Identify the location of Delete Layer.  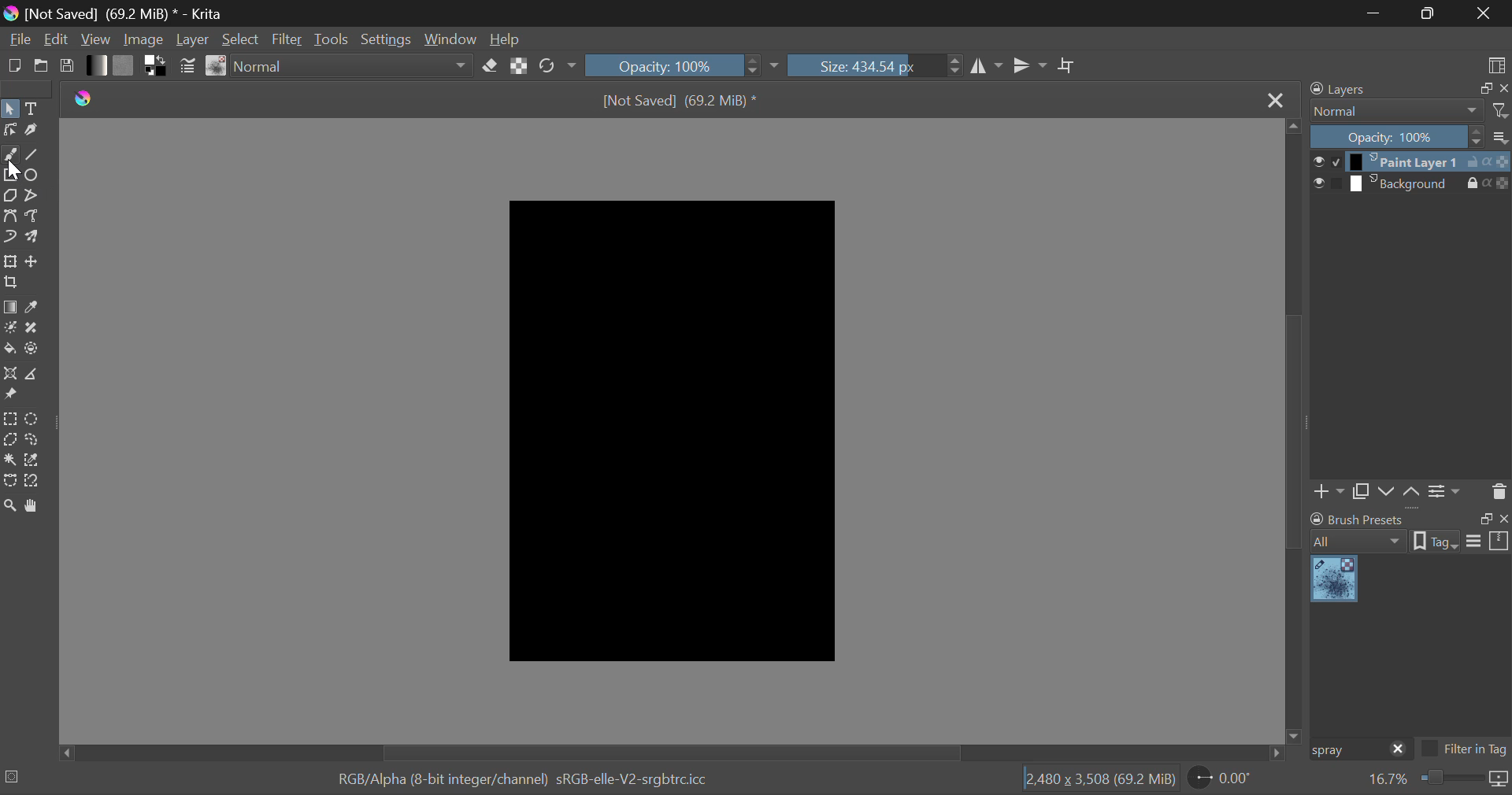
(1497, 490).